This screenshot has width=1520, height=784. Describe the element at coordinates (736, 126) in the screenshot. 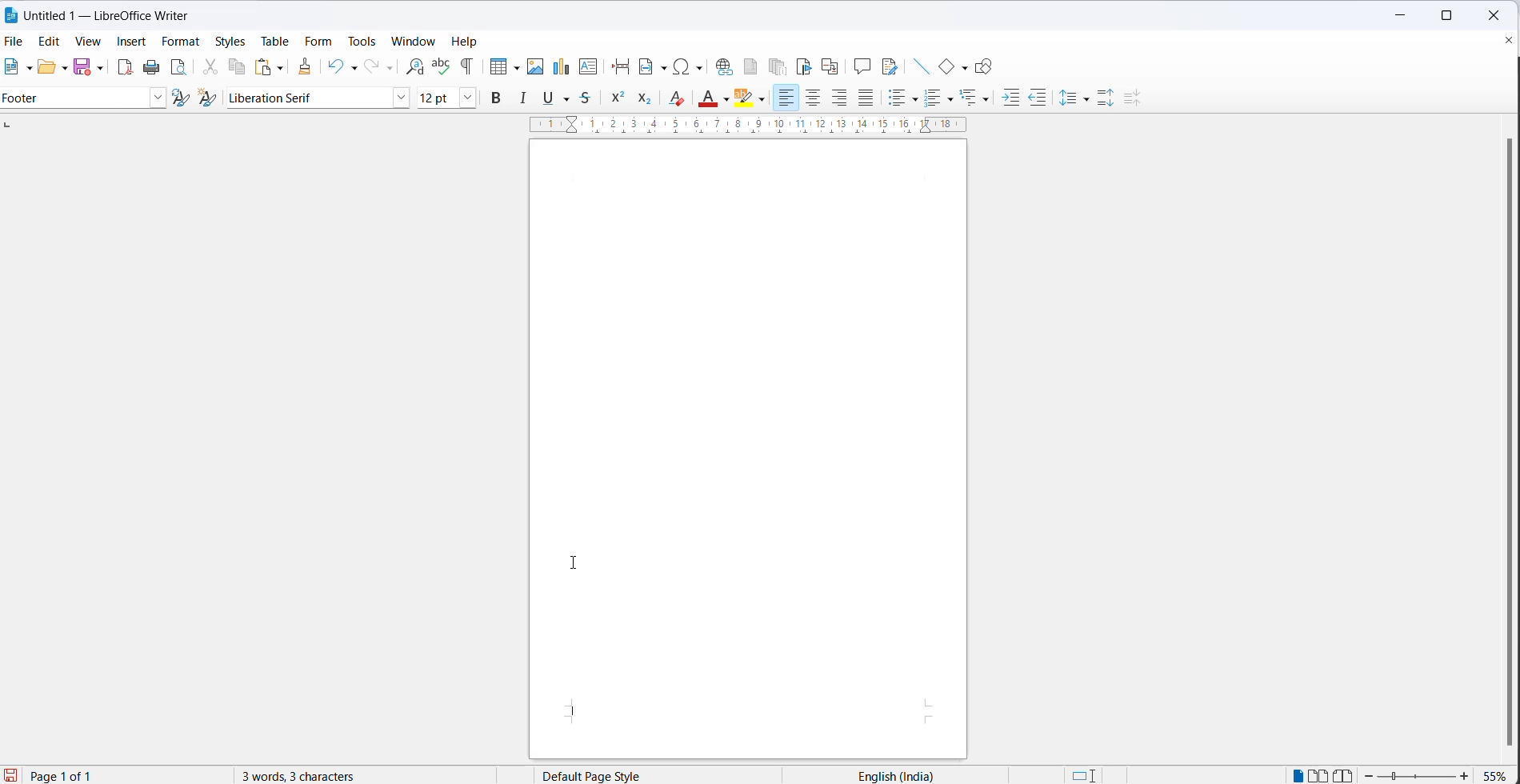

I see `scaling` at that location.